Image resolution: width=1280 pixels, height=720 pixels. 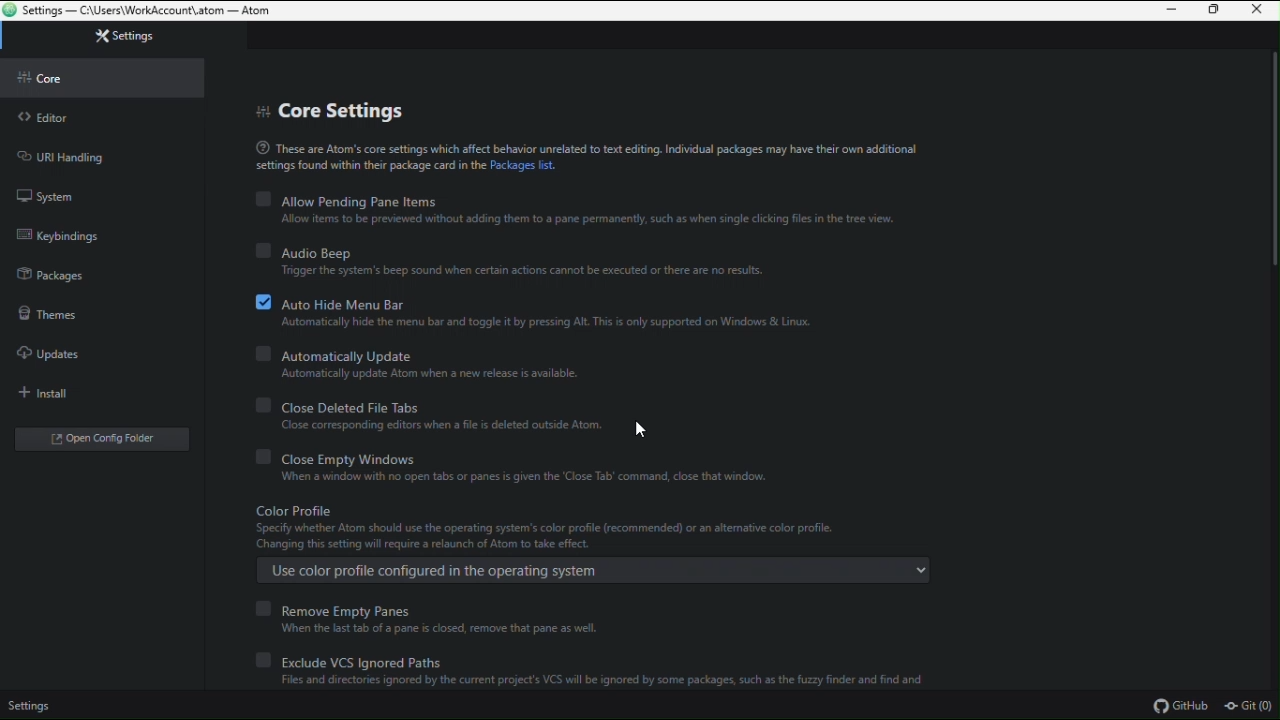 What do you see at coordinates (639, 428) in the screenshot?
I see `cursor` at bounding box center [639, 428].